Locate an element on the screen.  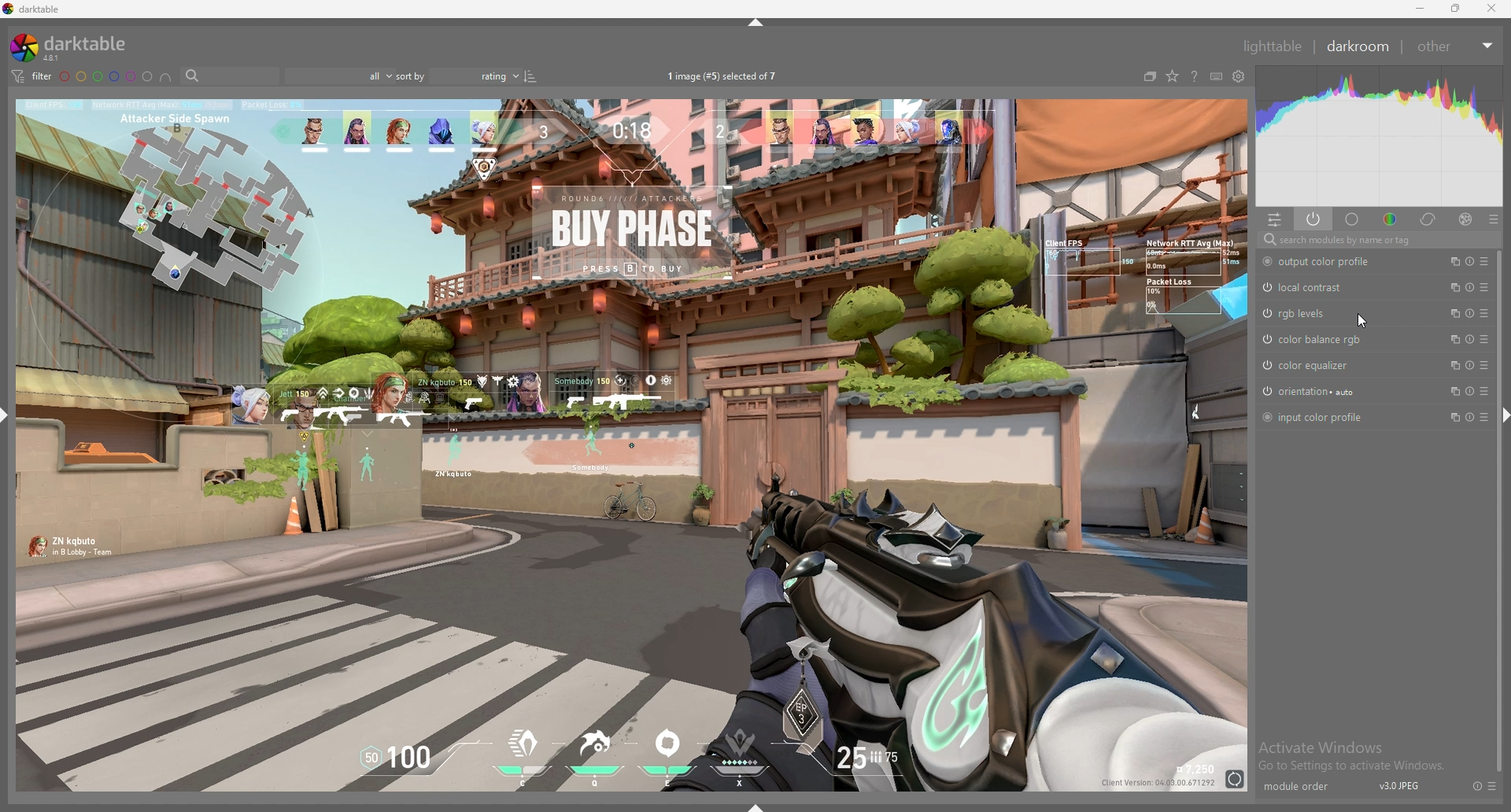
filter is located at coordinates (32, 77).